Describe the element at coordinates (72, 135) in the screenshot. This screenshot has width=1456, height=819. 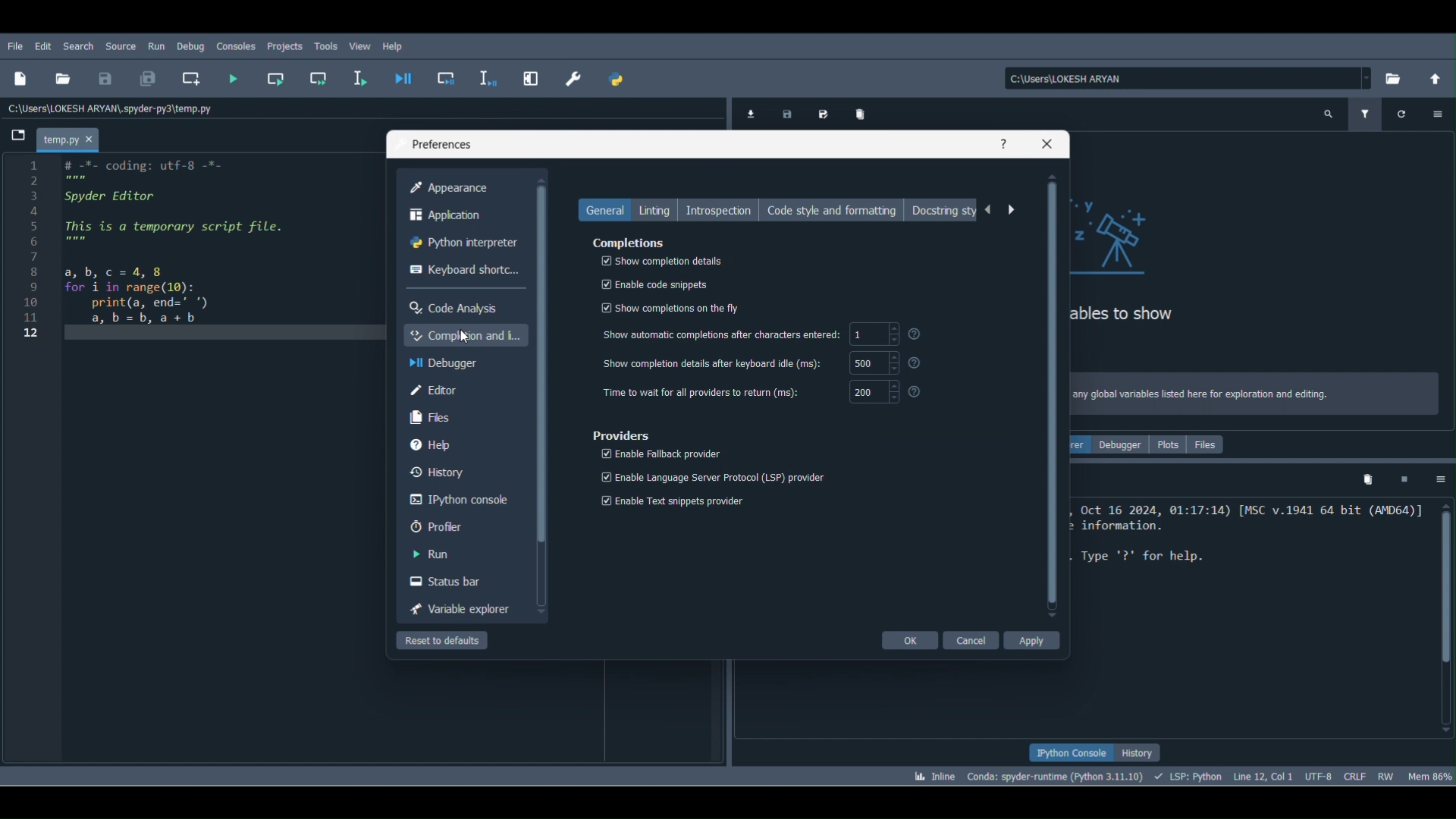
I see `File name` at that location.